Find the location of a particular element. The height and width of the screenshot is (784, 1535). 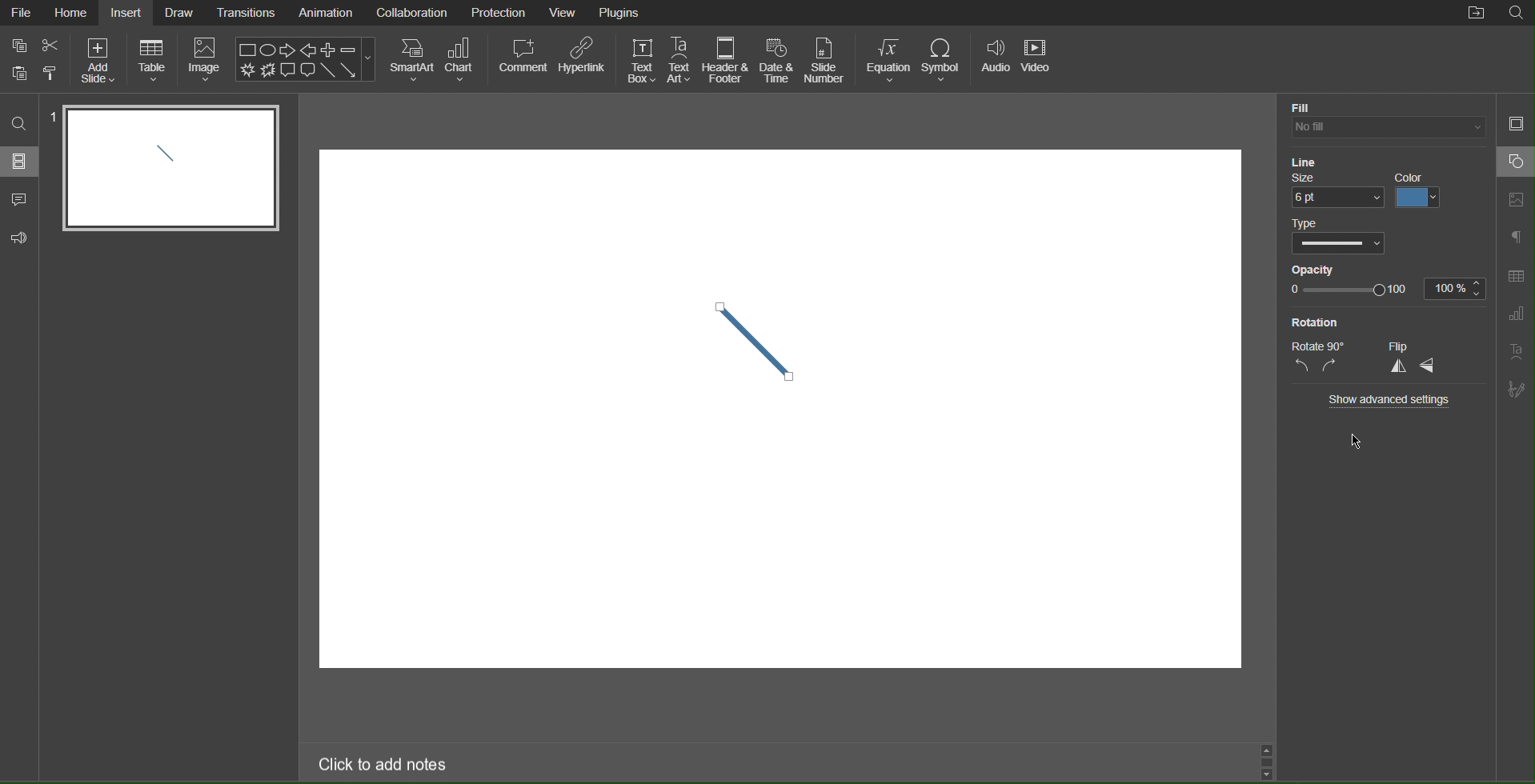

Symbol is located at coordinates (947, 58).